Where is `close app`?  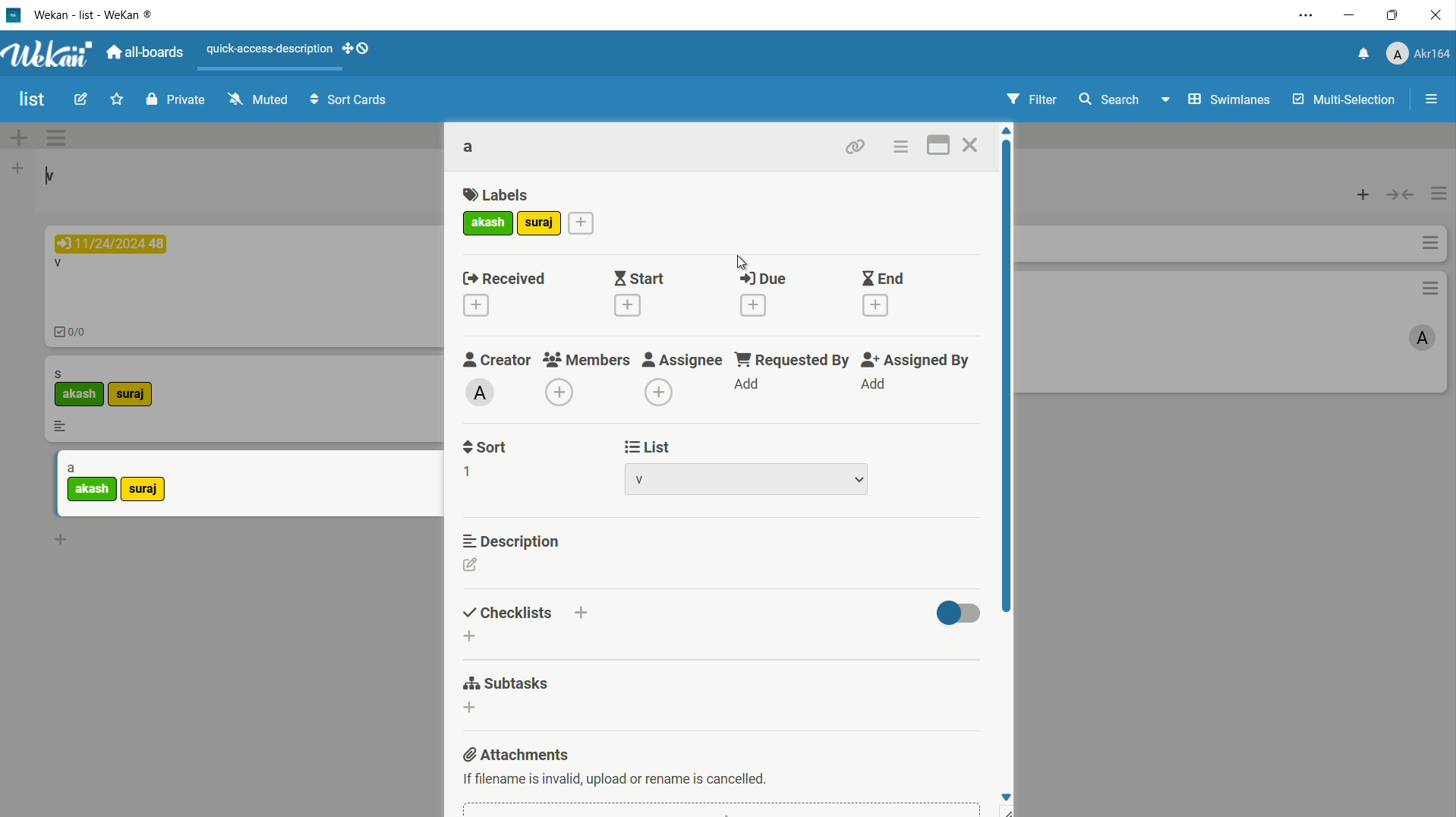
close app is located at coordinates (1437, 18).